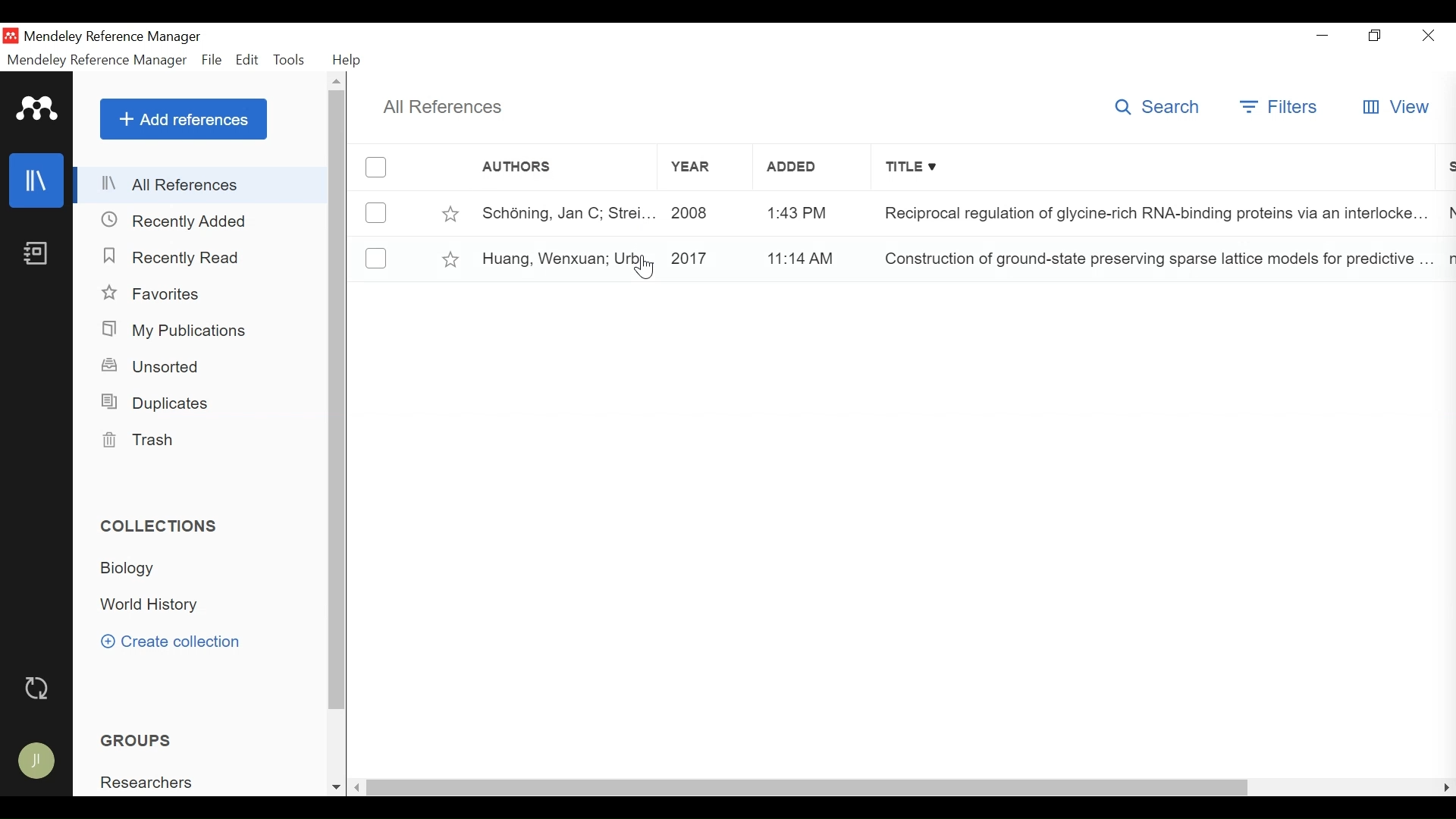  I want to click on Year, so click(702, 257).